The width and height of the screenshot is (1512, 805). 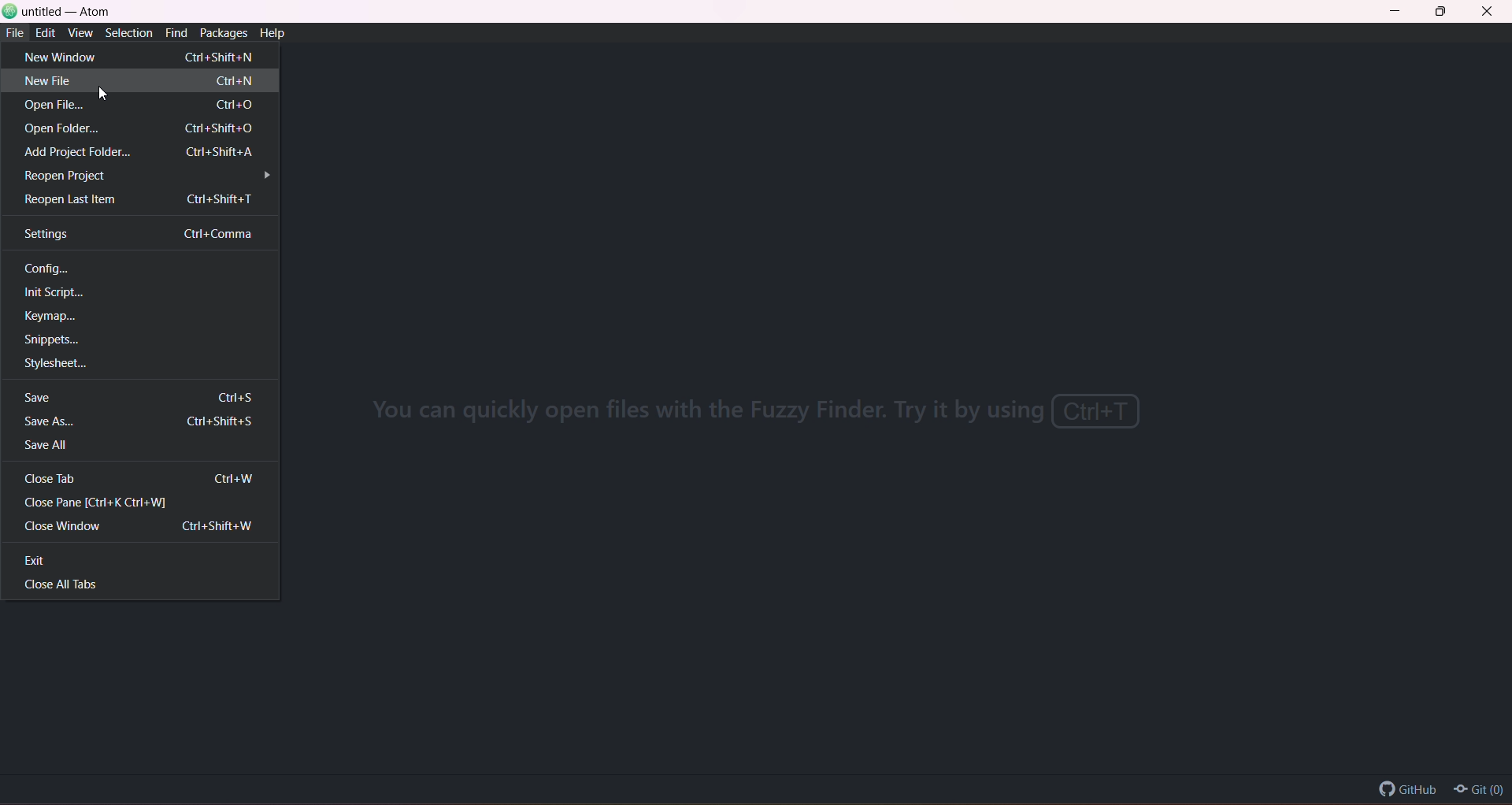 What do you see at coordinates (41, 562) in the screenshot?
I see `Exit` at bounding box center [41, 562].